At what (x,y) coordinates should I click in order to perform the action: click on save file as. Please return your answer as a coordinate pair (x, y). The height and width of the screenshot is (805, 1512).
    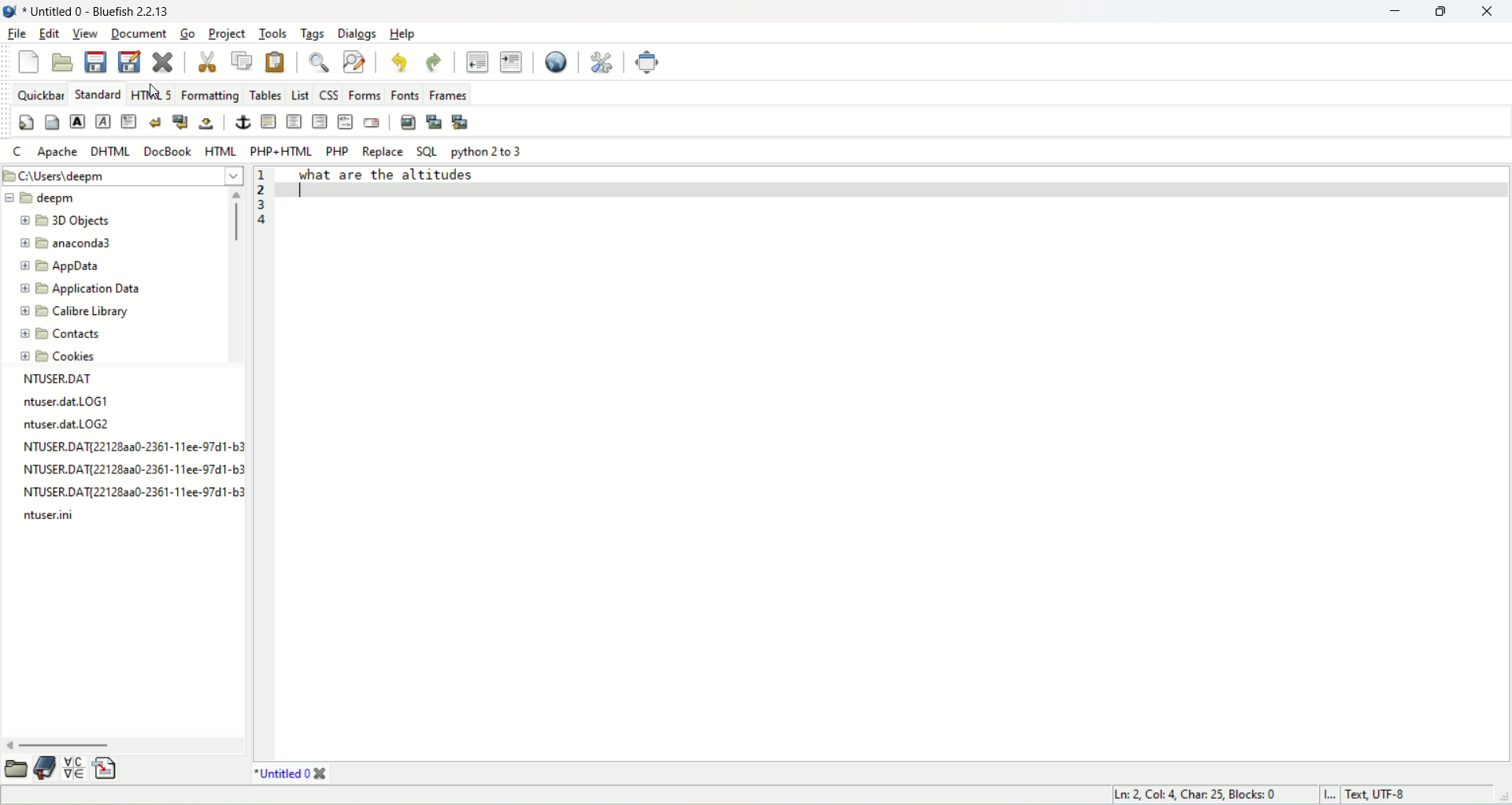
    Looking at the image, I should click on (132, 62).